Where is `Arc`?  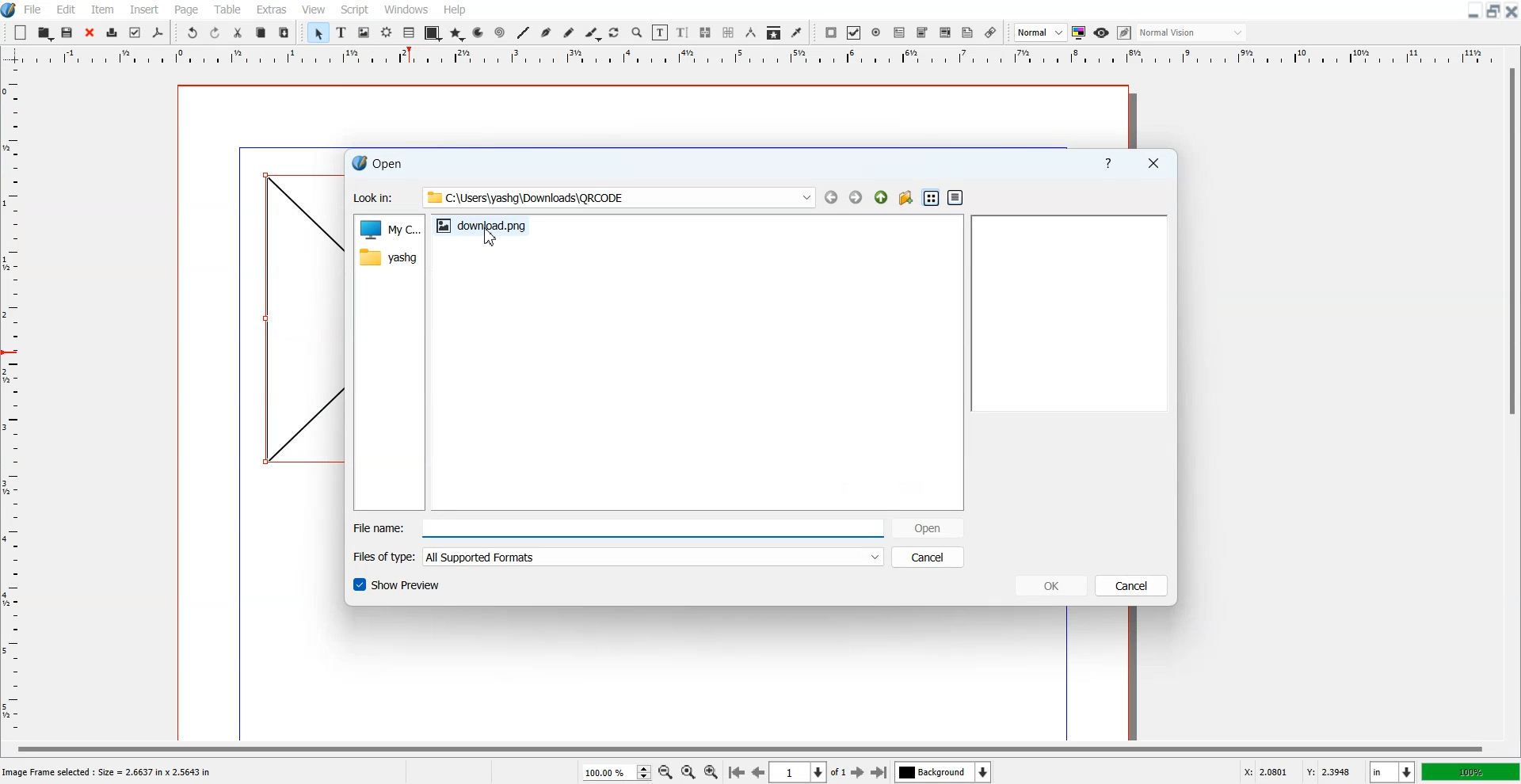
Arc is located at coordinates (479, 32).